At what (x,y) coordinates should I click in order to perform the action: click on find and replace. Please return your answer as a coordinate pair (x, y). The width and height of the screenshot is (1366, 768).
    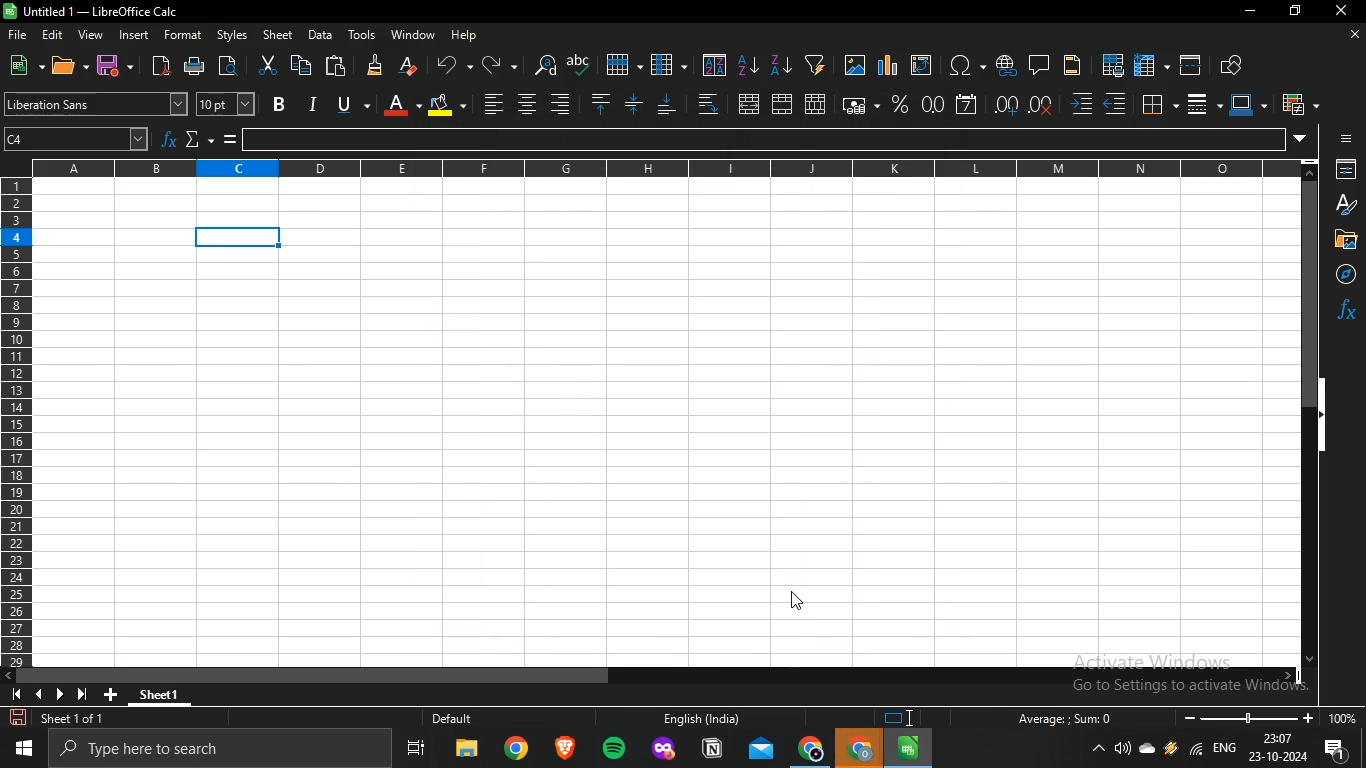
    Looking at the image, I should click on (543, 65).